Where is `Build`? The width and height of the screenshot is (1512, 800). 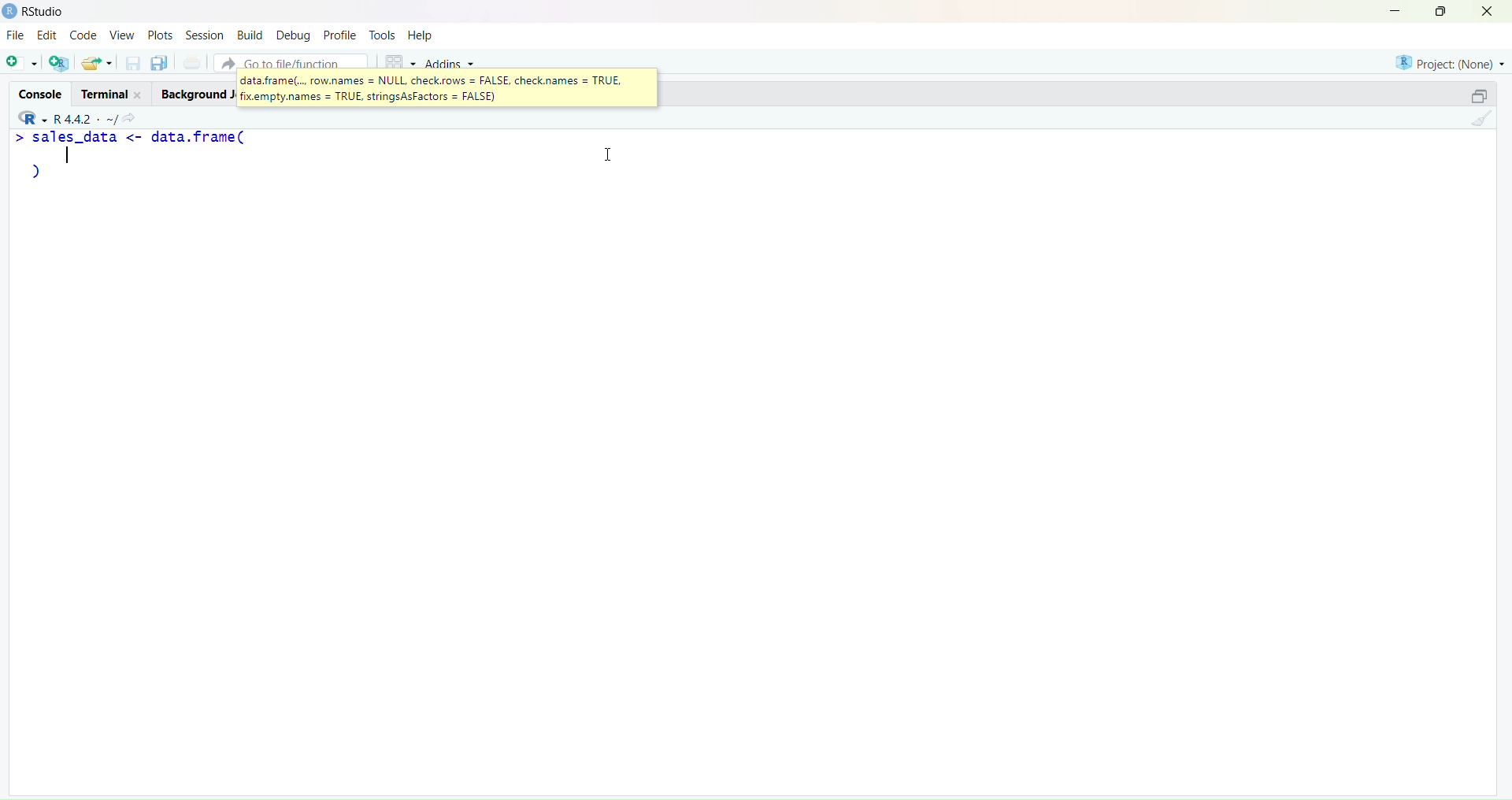 Build is located at coordinates (249, 35).